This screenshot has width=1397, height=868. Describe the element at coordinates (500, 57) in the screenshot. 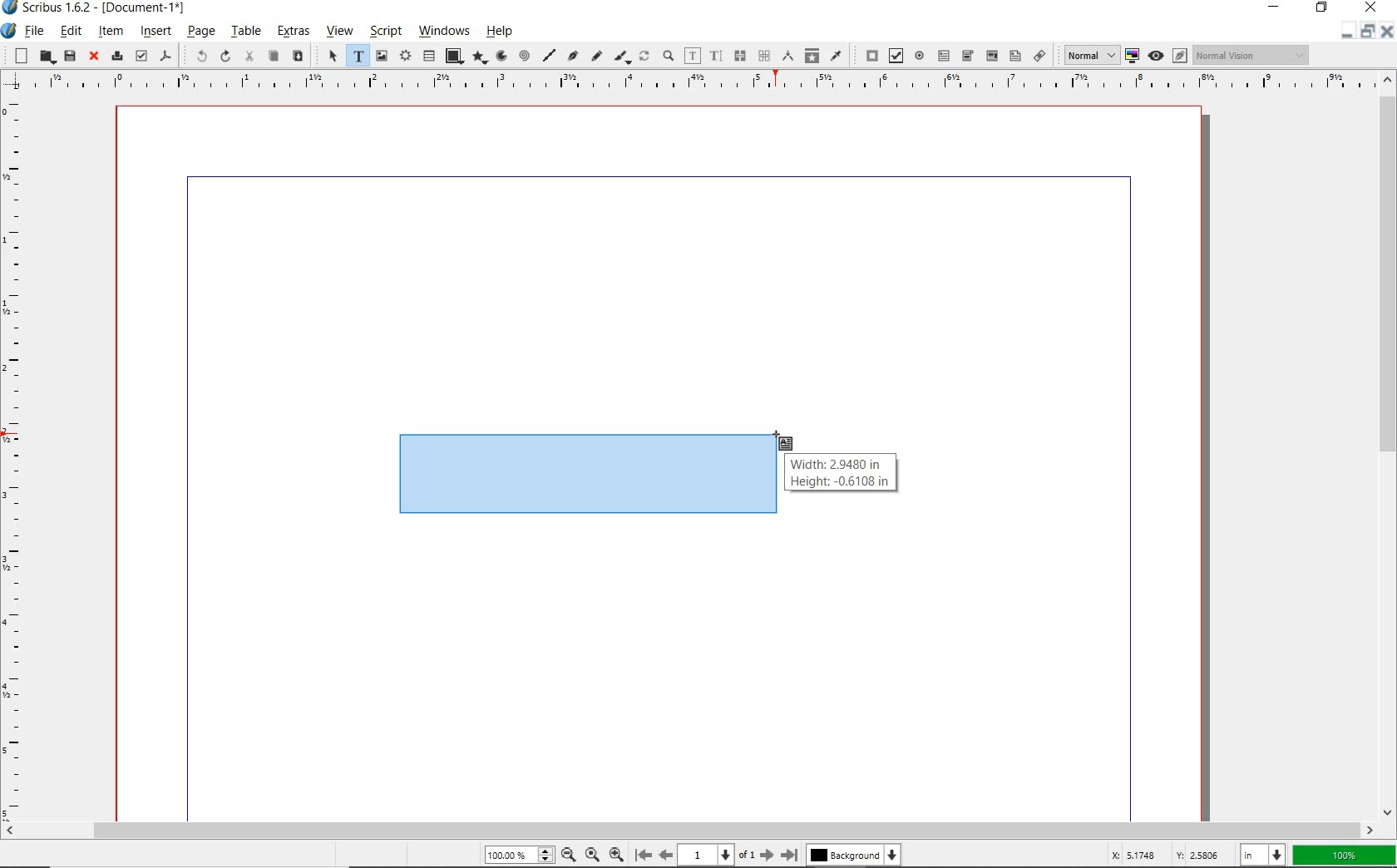

I see `arc` at that location.